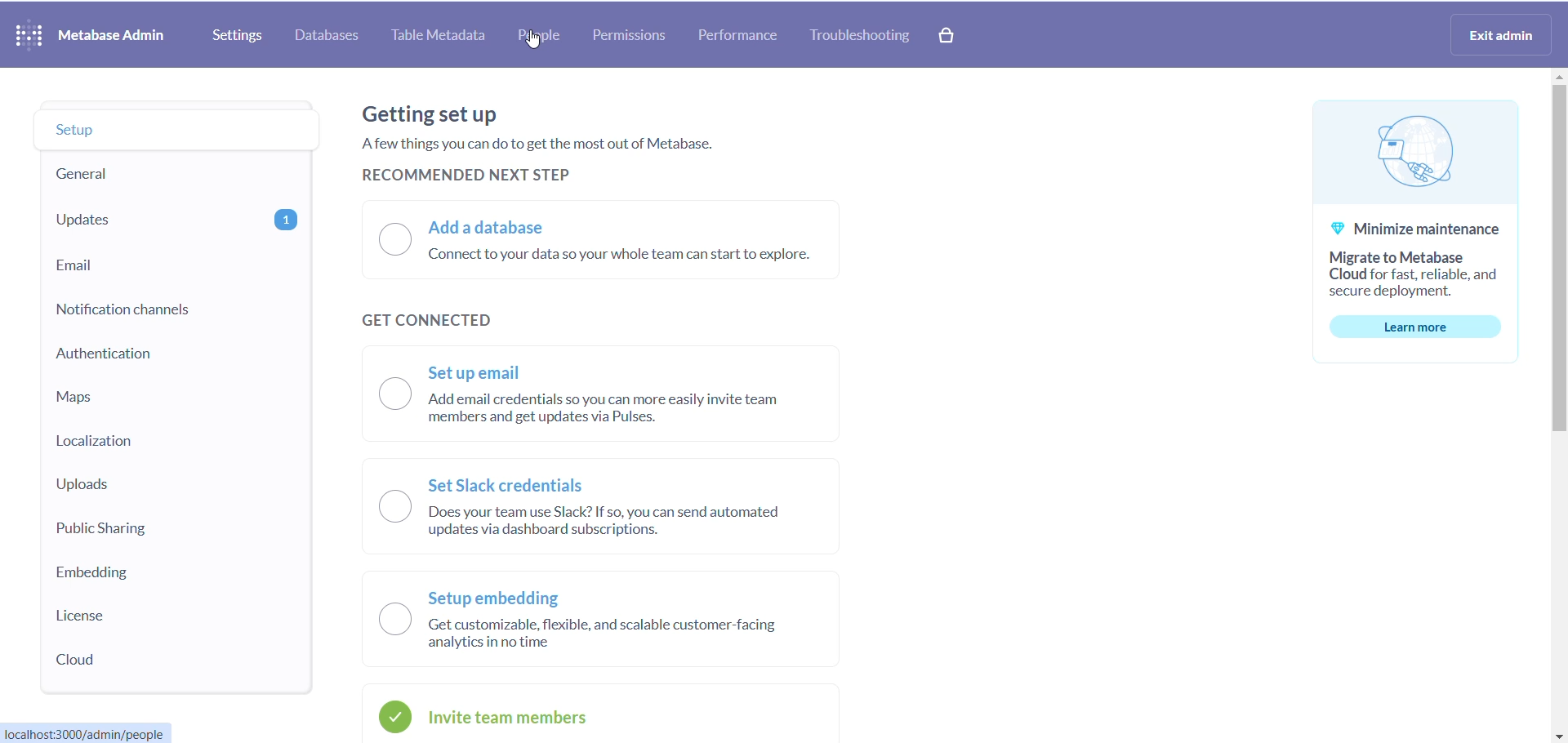 The image size is (1568, 743). I want to click on cloud, so click(159, 662).